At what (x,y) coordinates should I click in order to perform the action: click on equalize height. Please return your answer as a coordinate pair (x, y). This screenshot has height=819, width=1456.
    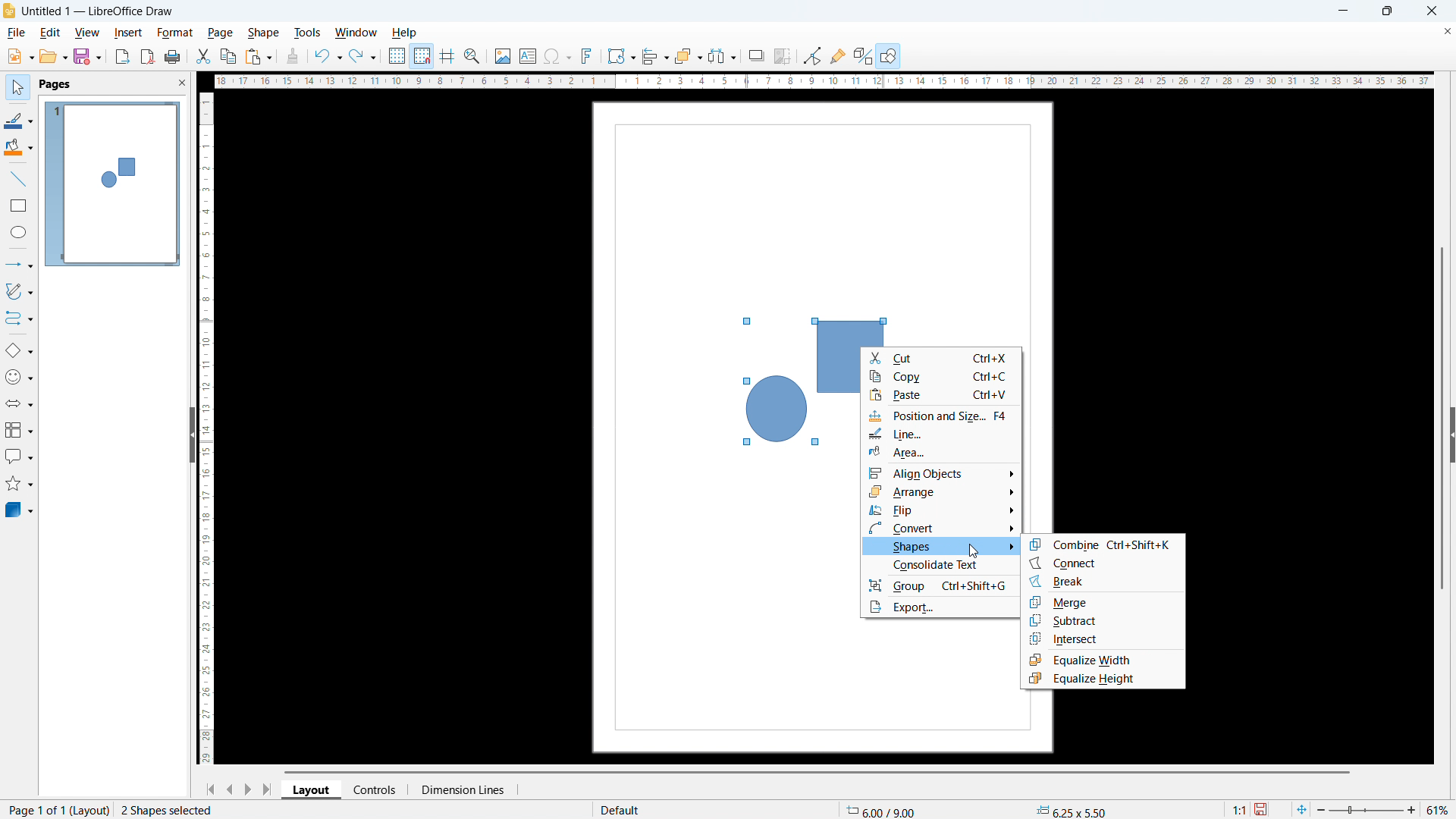
    Looking at the image, I should click on (1103, 679).